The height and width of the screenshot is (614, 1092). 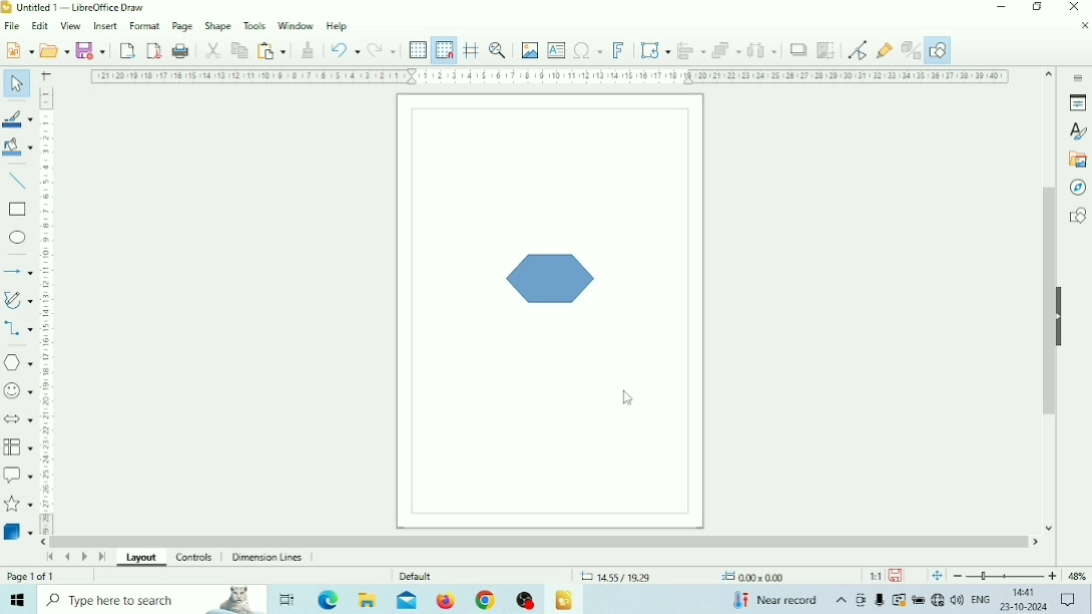 What do you see at coordinates (296, 25) in the screenshot?
I see `Window` at bounding box center [296, 25].